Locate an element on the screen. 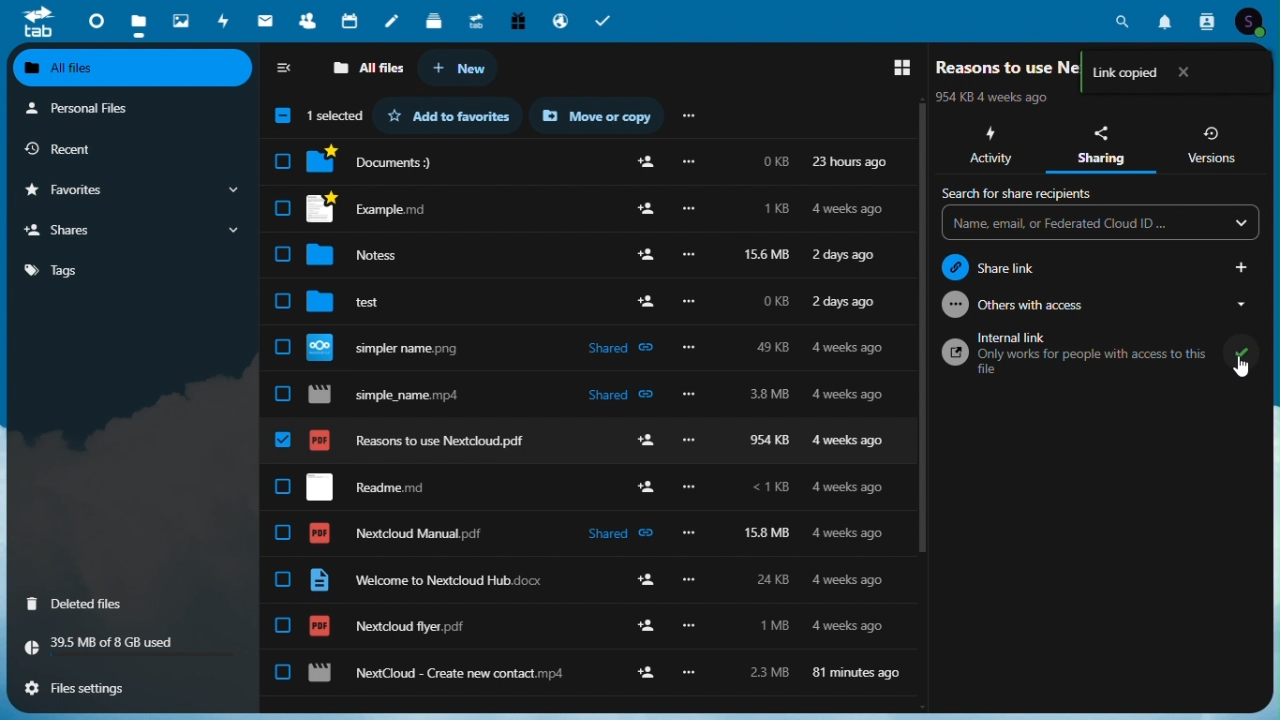 This screenshot has width=1280, height=720. task is located at coordinates (606, 21).